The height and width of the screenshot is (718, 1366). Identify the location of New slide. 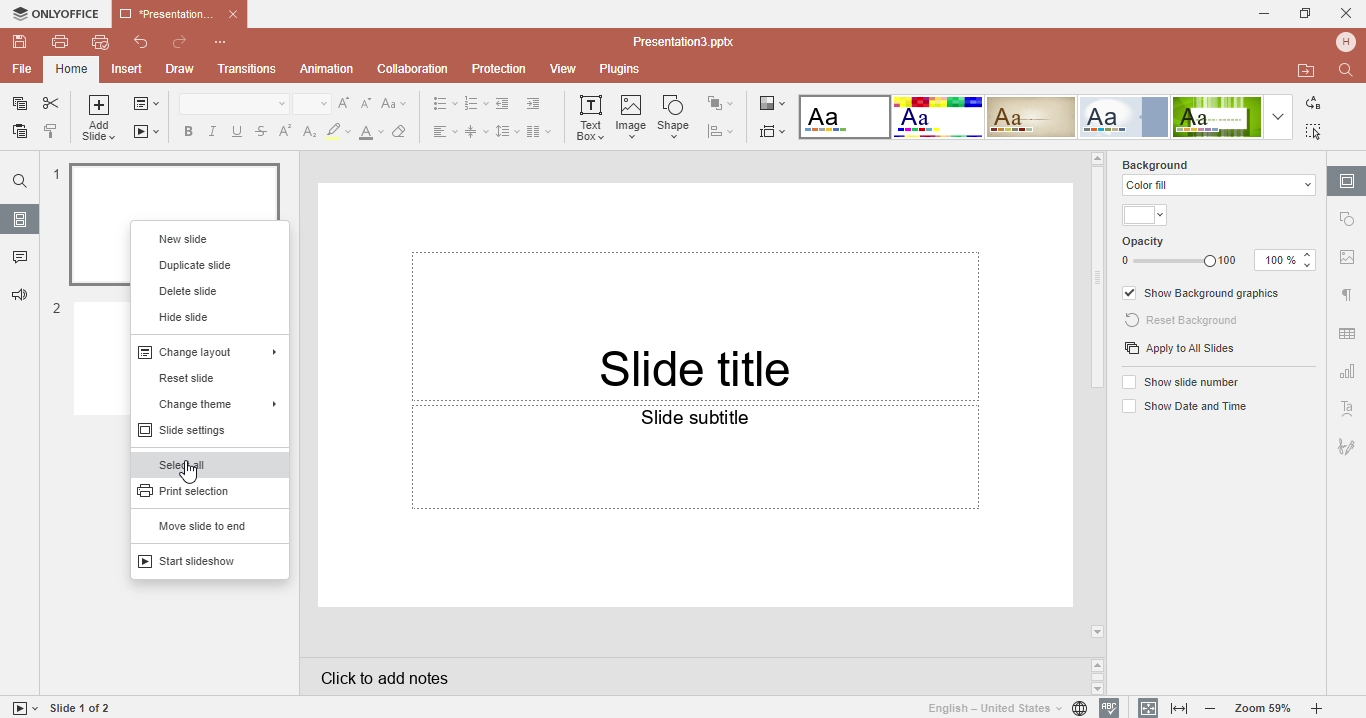
(206, 235).